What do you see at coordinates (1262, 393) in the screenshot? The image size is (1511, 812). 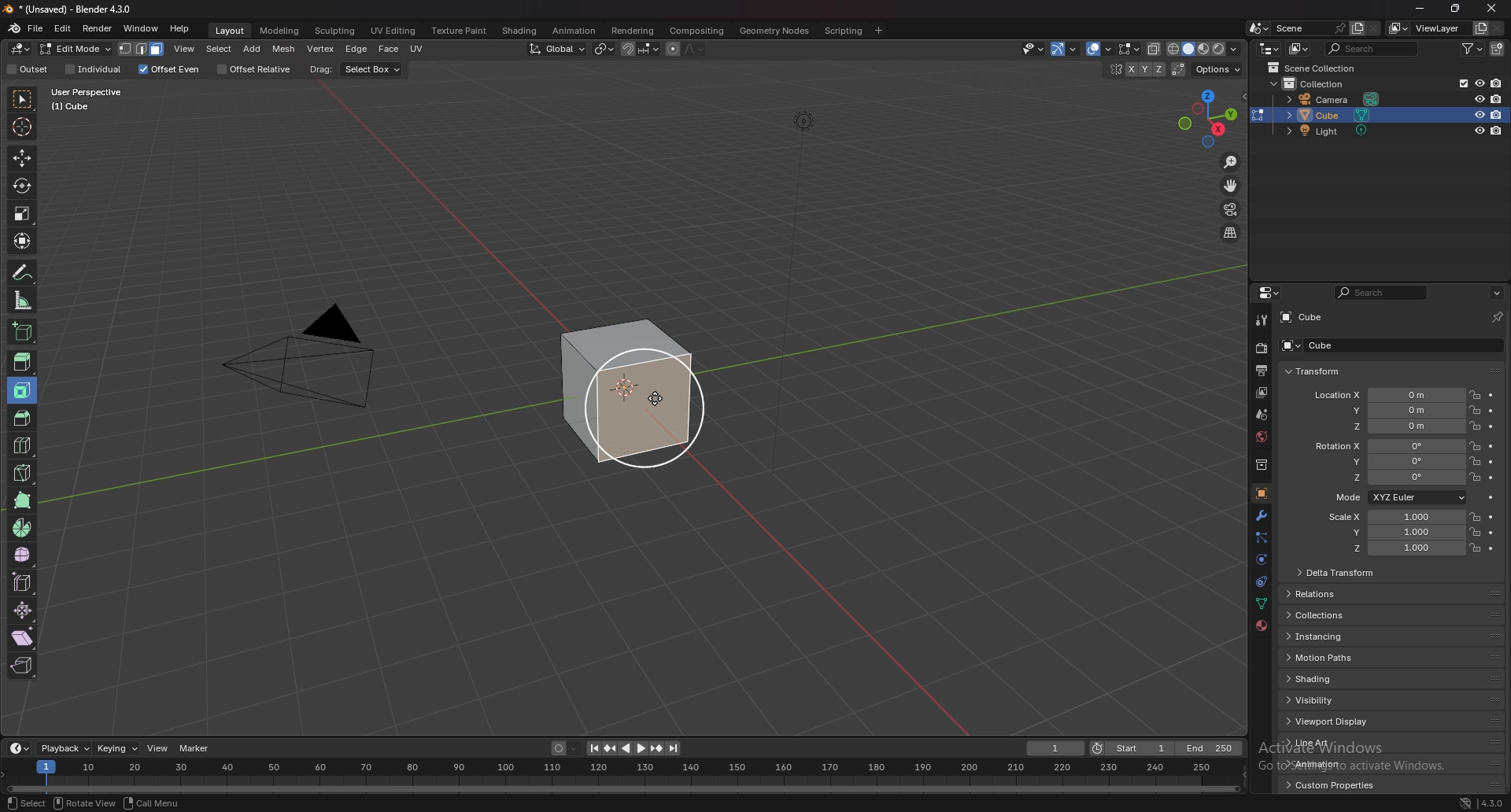 I see `view layer` at bounding box center [1262, 393].